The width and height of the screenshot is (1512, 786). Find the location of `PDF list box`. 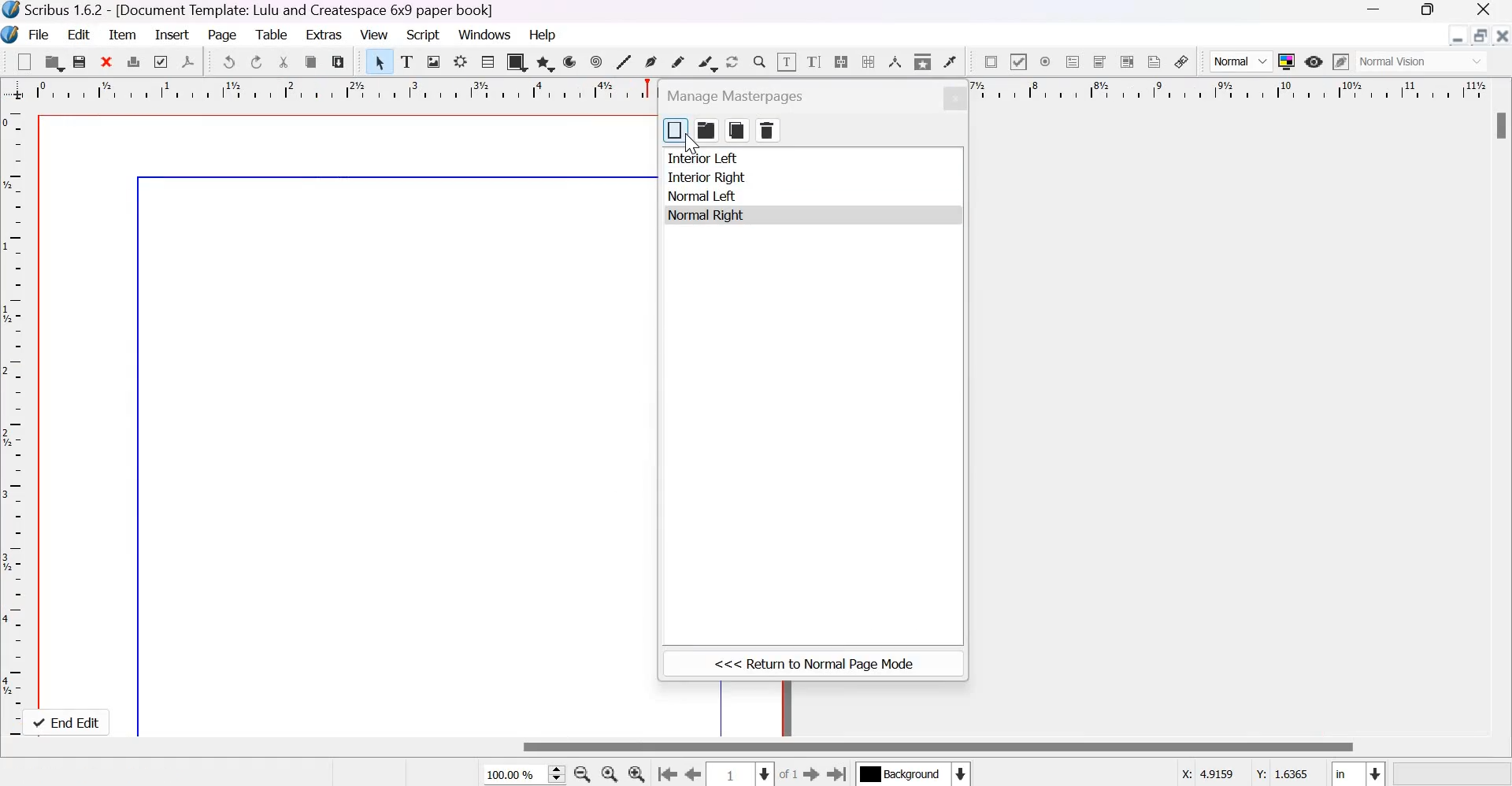

PDF list box is located at coordinates (1128, 61).